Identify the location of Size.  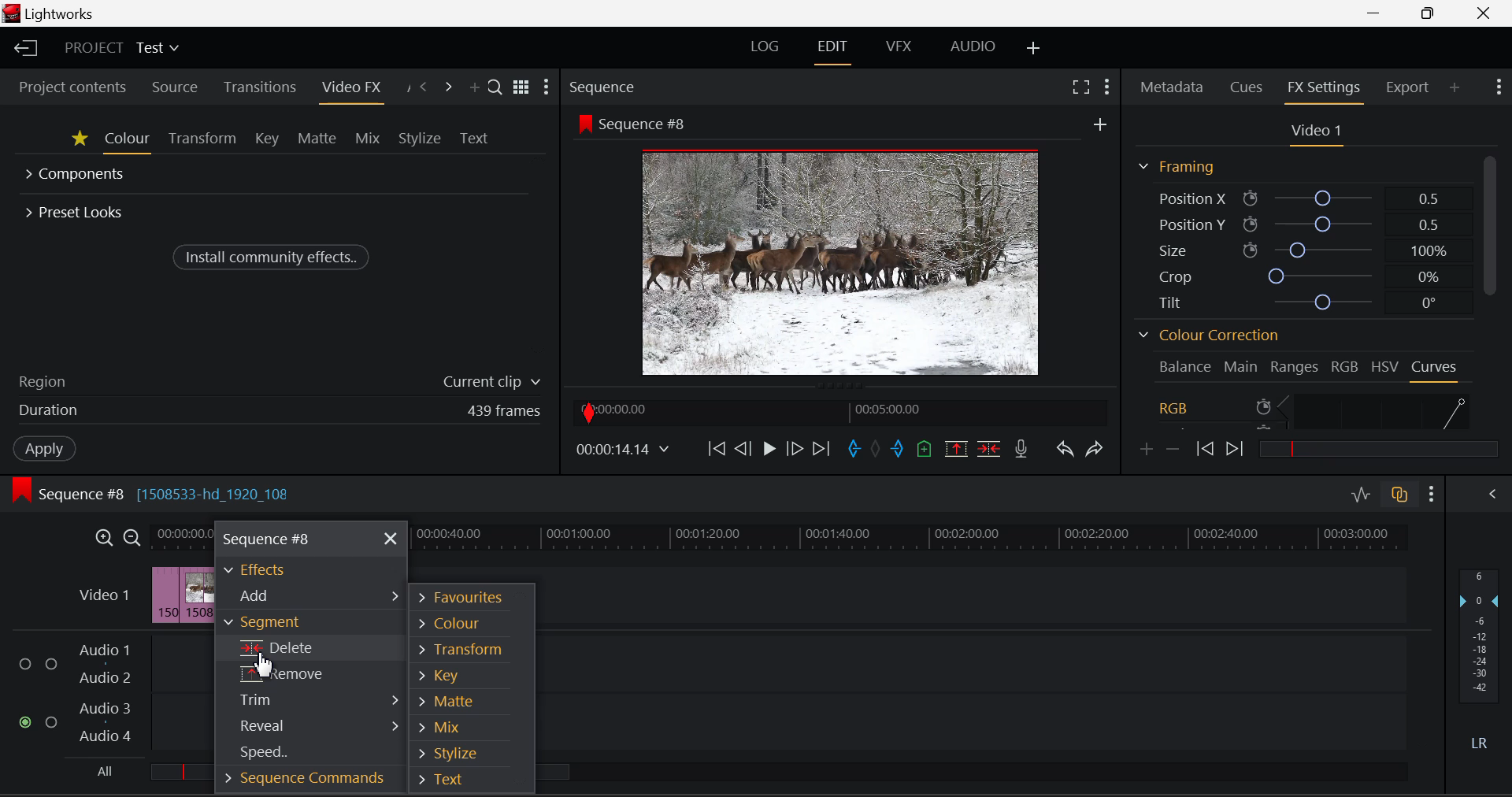
(1299, 250).